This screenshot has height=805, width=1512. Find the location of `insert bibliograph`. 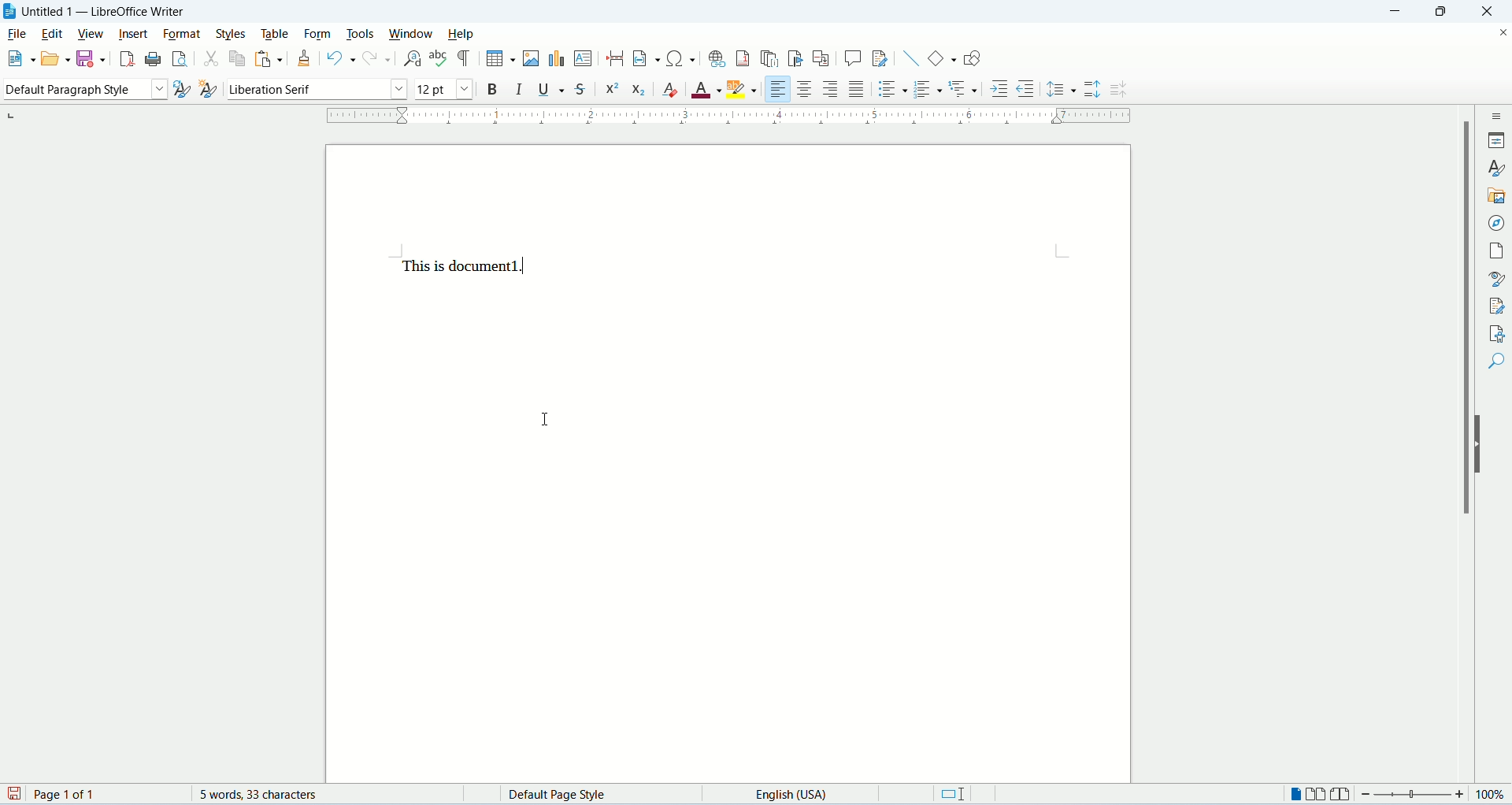

insert bibliograph is located at coordinates (795, 60).